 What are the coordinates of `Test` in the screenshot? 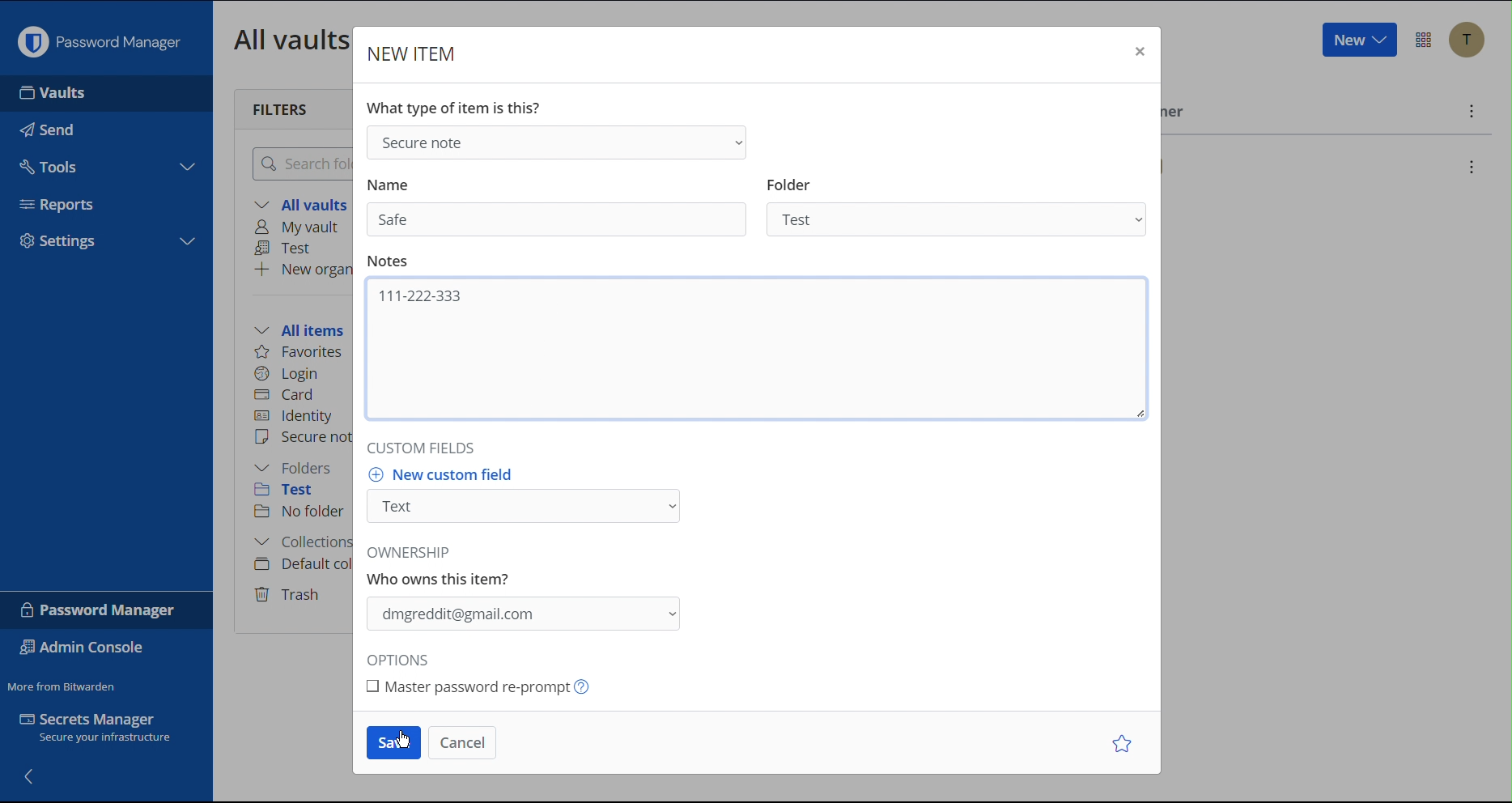 It's located at (287, 249).